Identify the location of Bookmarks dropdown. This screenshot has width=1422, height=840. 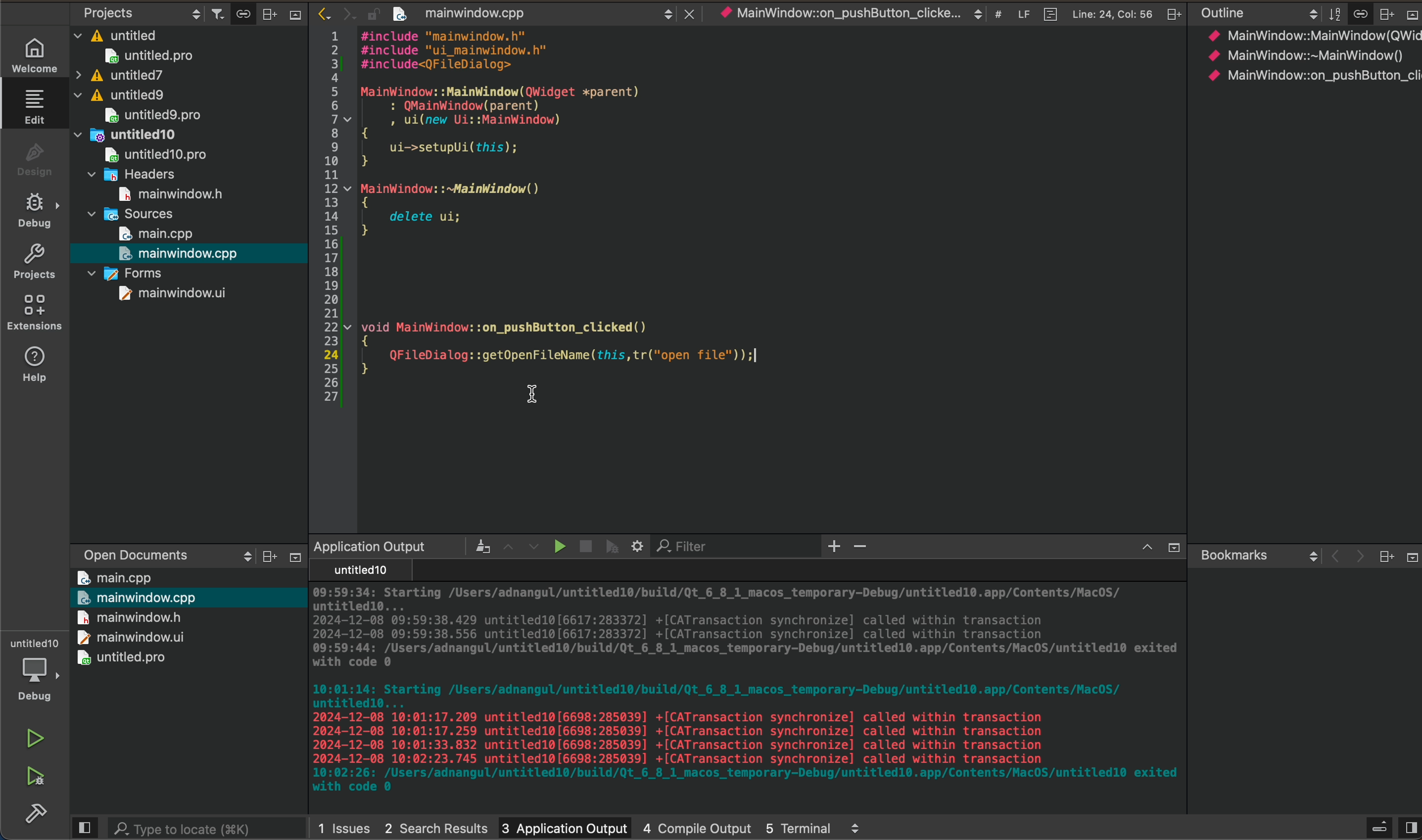
(1256, 554).